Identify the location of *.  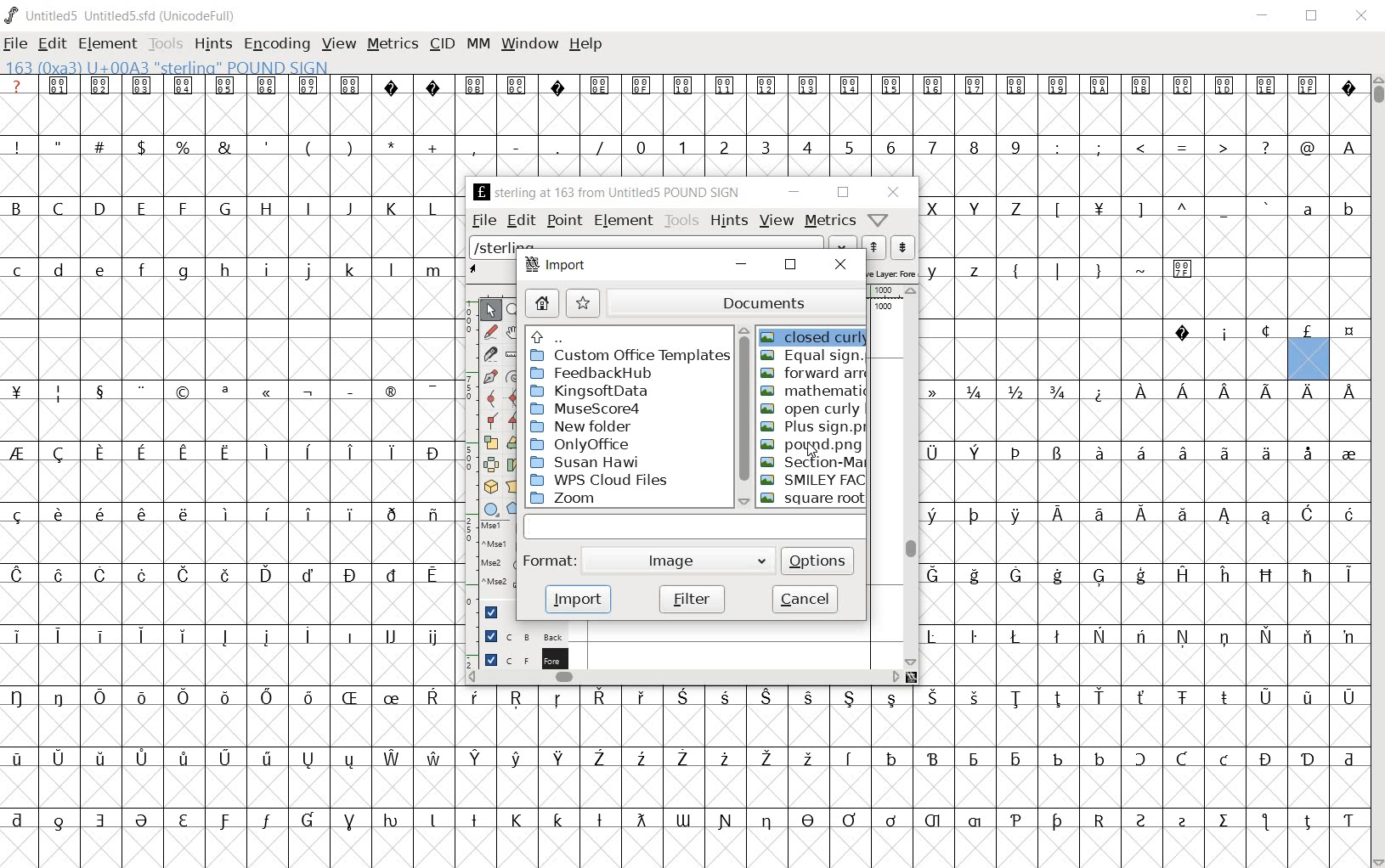
(393, 145).